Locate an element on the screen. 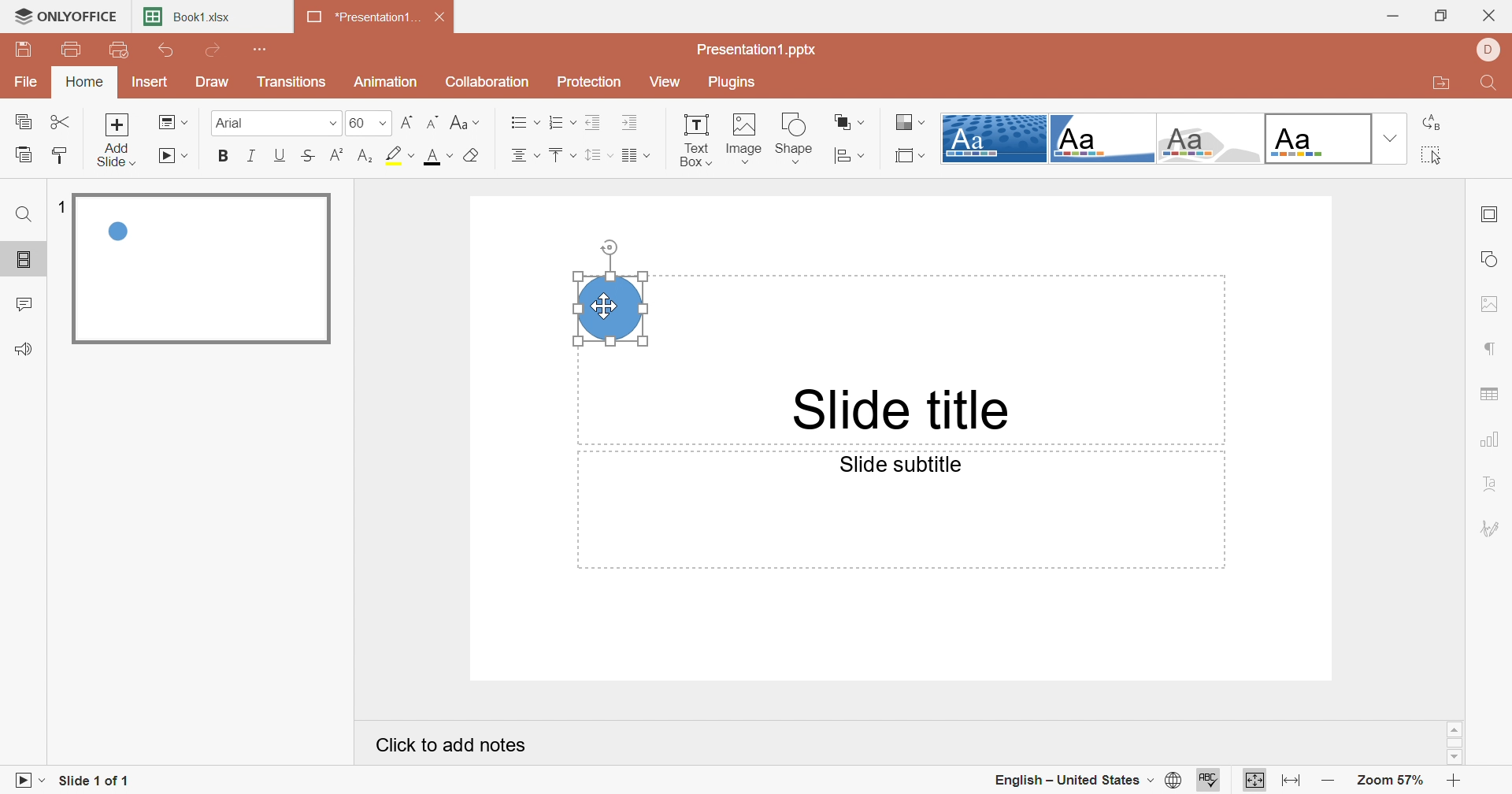  Shape is located at coordinates (610, 307).